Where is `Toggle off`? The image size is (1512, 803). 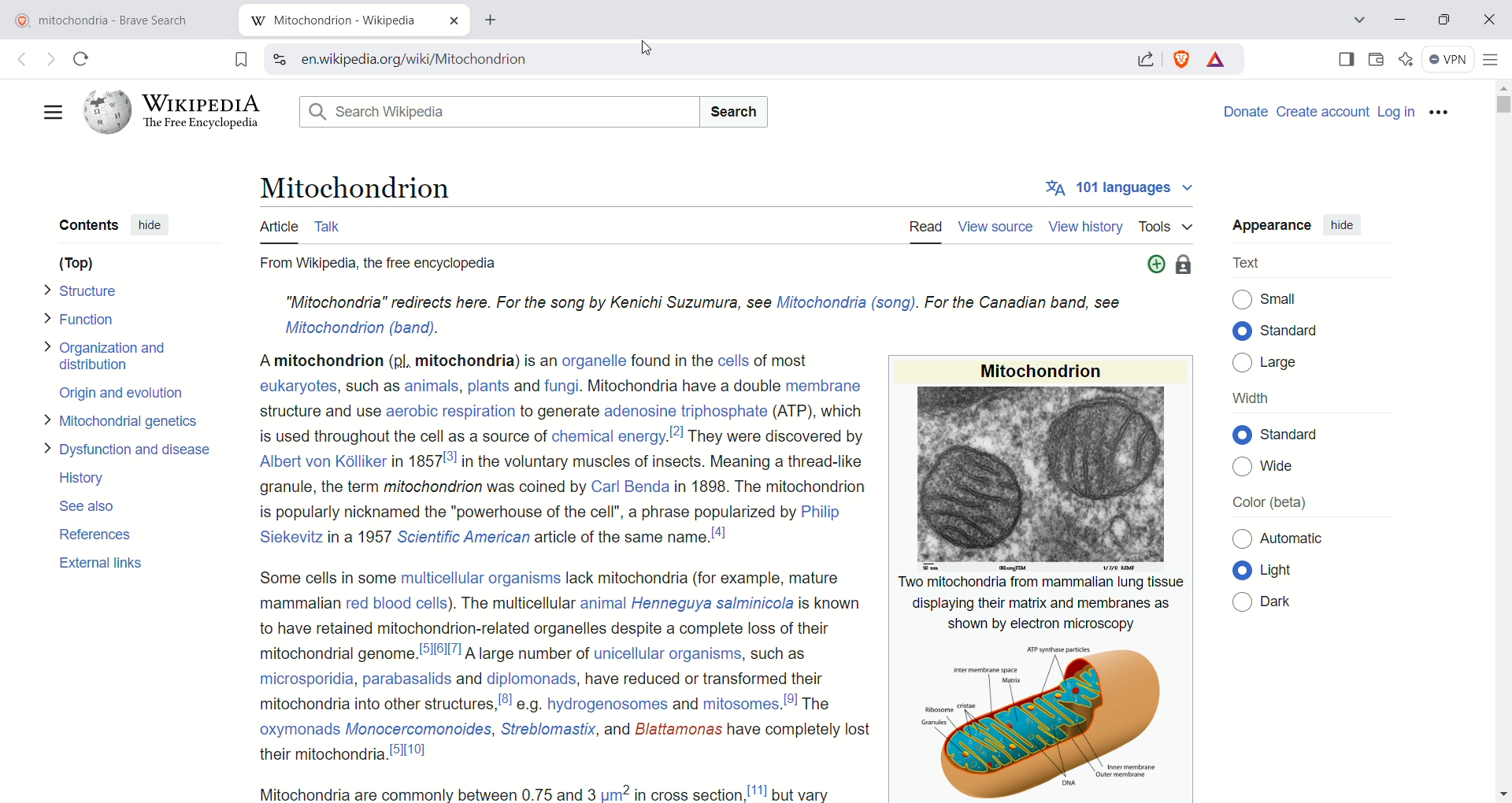
Toggle off is located at coordinates (1240, 468).